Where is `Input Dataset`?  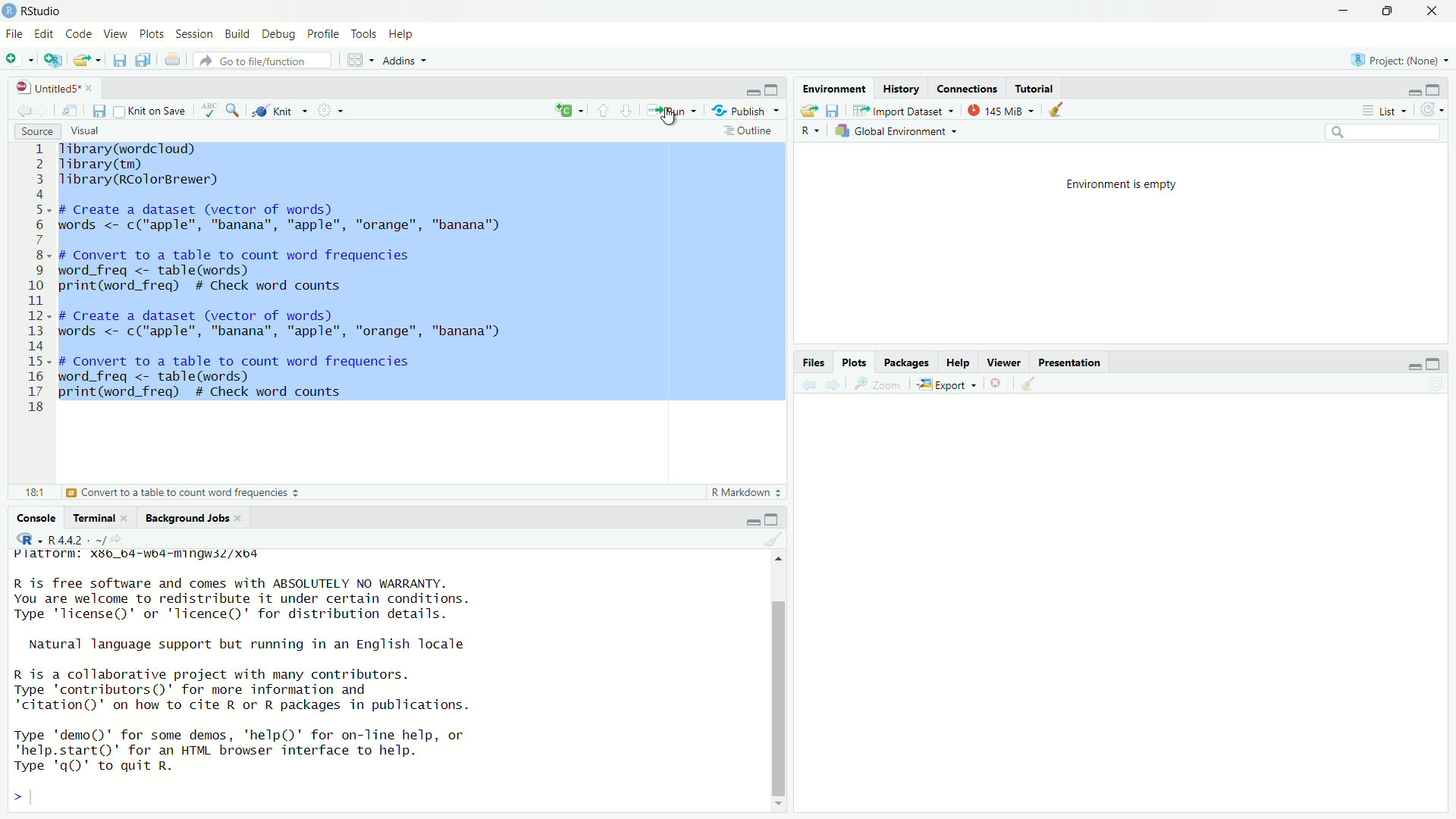 Input Dataset is located at coordinates (905, 112).